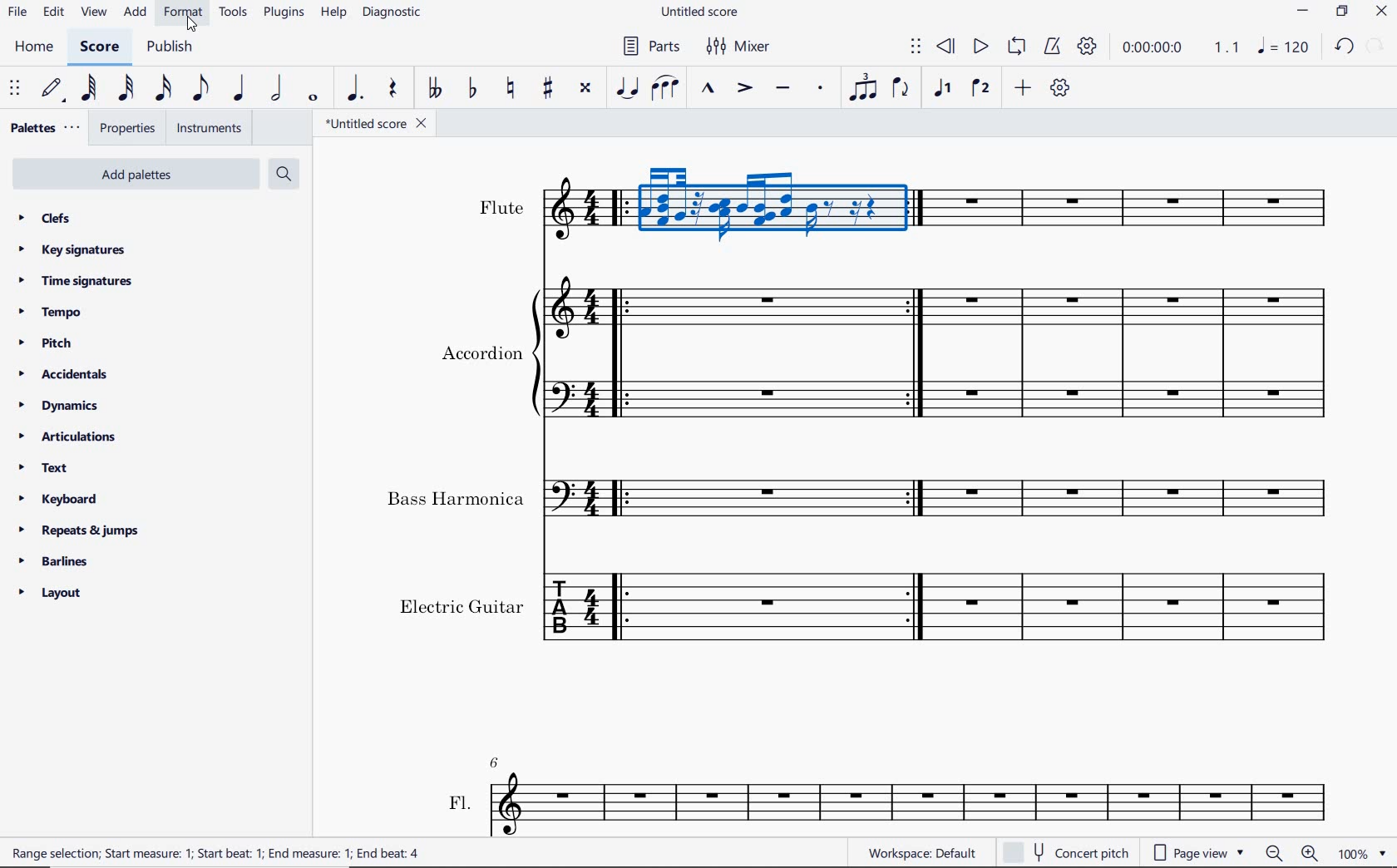 Image resolution: width=1397 pixels, height=868 pixels. I want to click on add, so click(136, 13).